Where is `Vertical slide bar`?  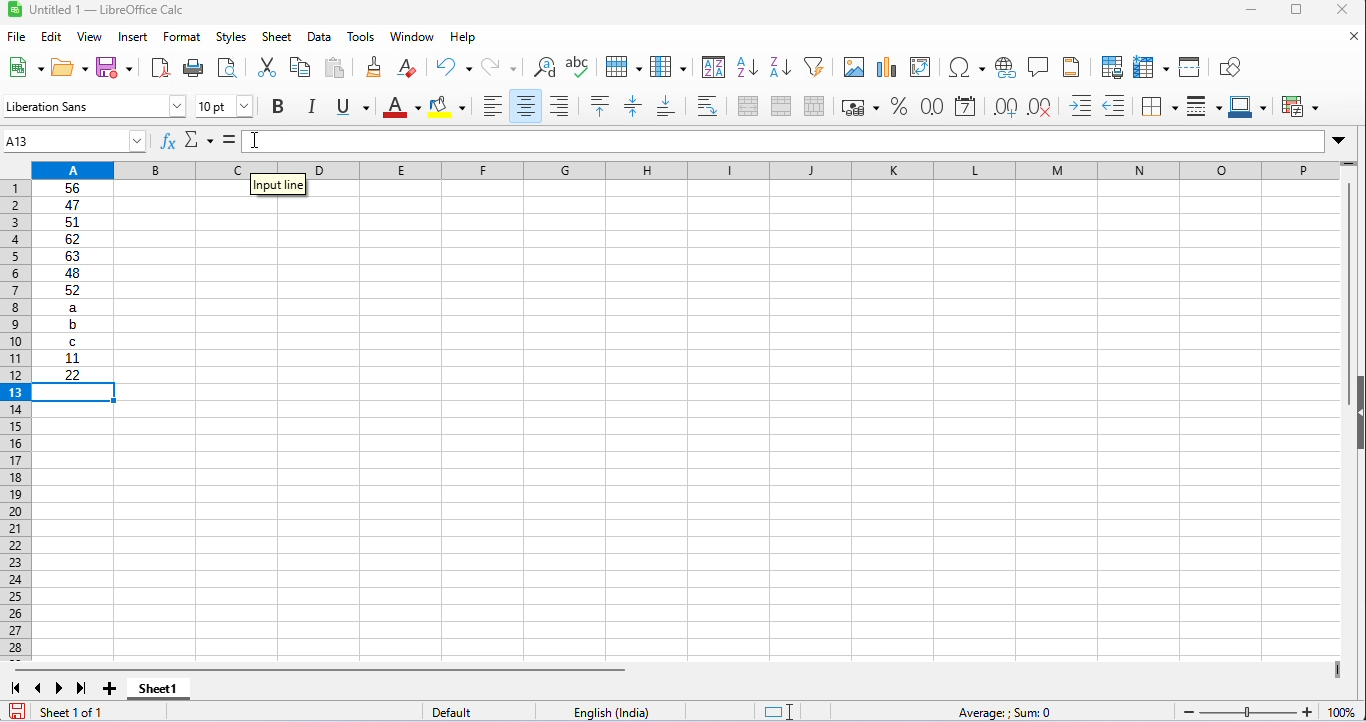 Vertical slide bar is located at coordinates (1350, 294).